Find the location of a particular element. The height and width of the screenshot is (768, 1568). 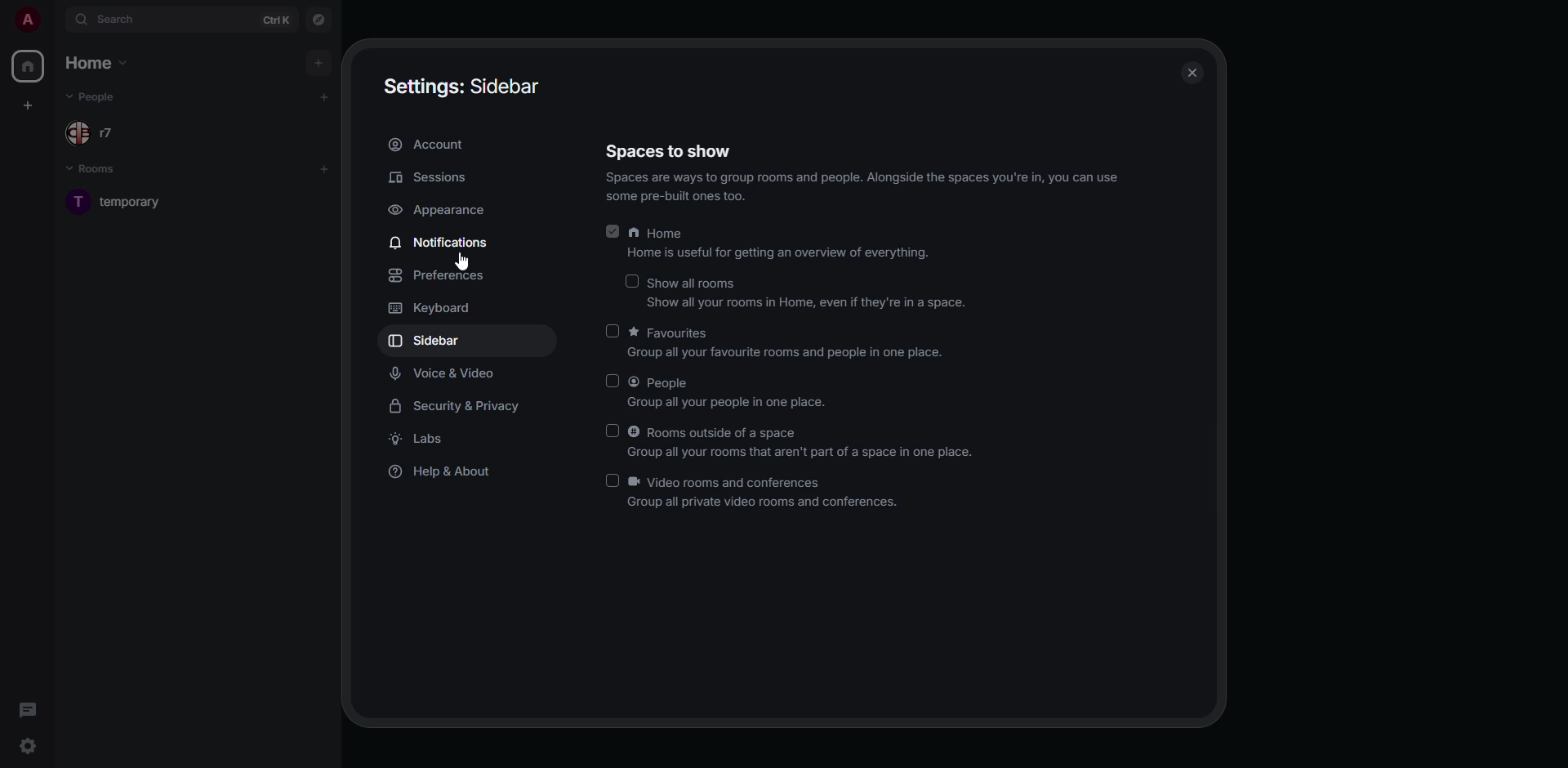

room is located at coordinates (134, 201).